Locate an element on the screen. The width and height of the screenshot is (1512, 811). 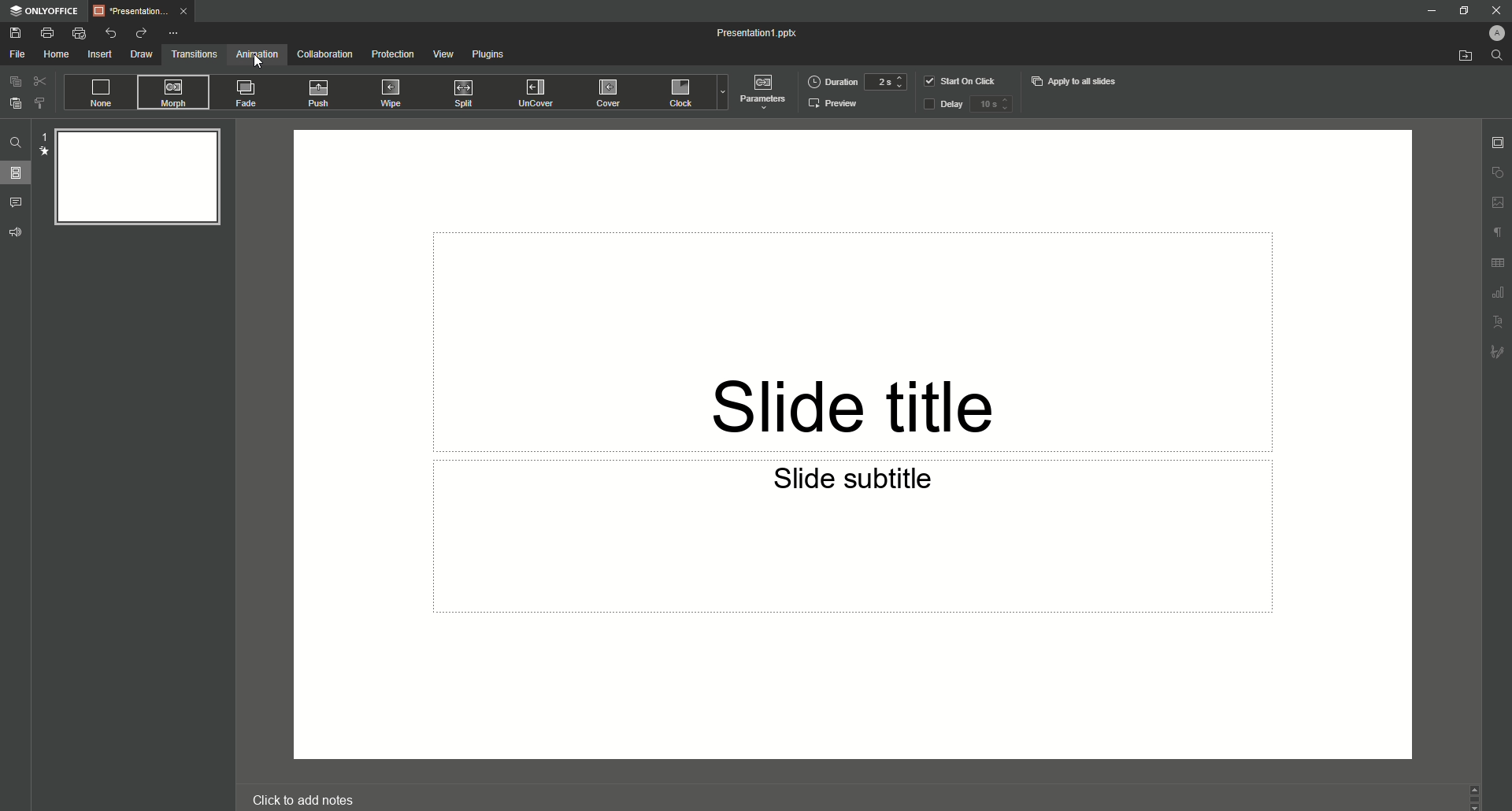
Transitions is located at coordinates (195, 54).